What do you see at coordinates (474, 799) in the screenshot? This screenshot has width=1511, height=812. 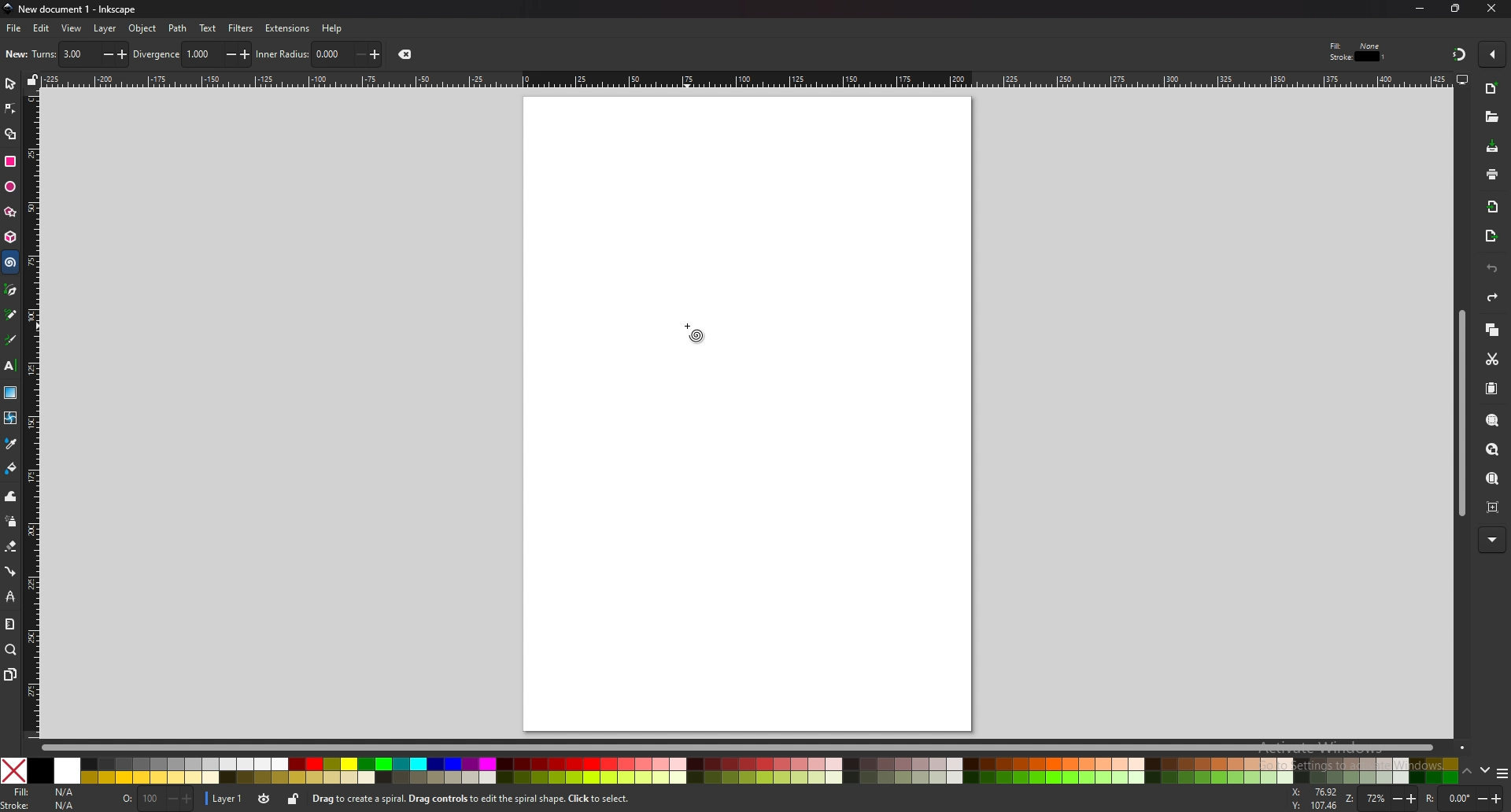 I see `Drag to create a spiral. Drag controls to edit the spiral shape. Click to select.` at bounding box center [474, 799].